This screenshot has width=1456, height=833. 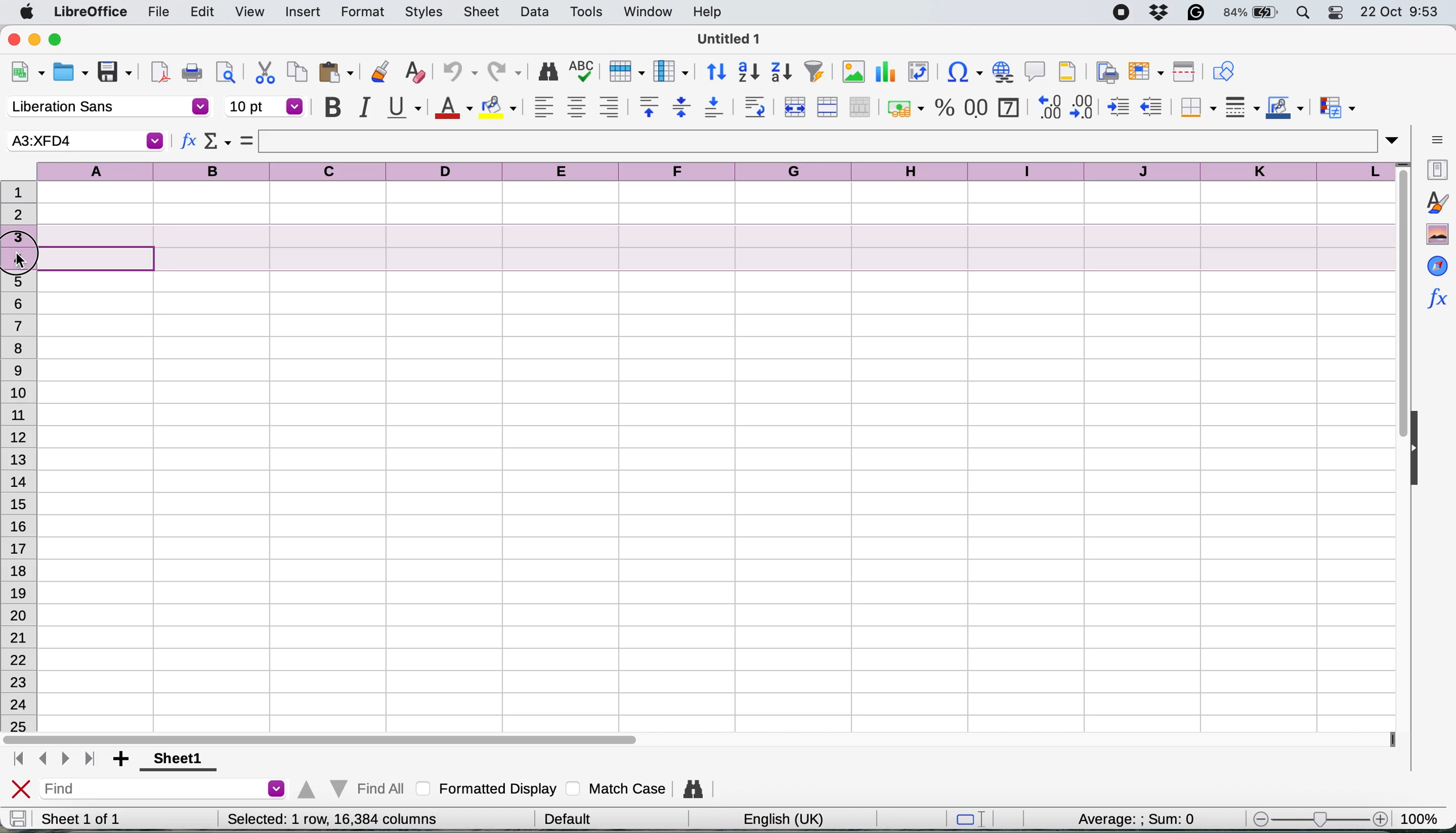 What do you see at coordinates (975, 820) in the screenshot?
I see `standard selection` at bounding box center [975, 820].